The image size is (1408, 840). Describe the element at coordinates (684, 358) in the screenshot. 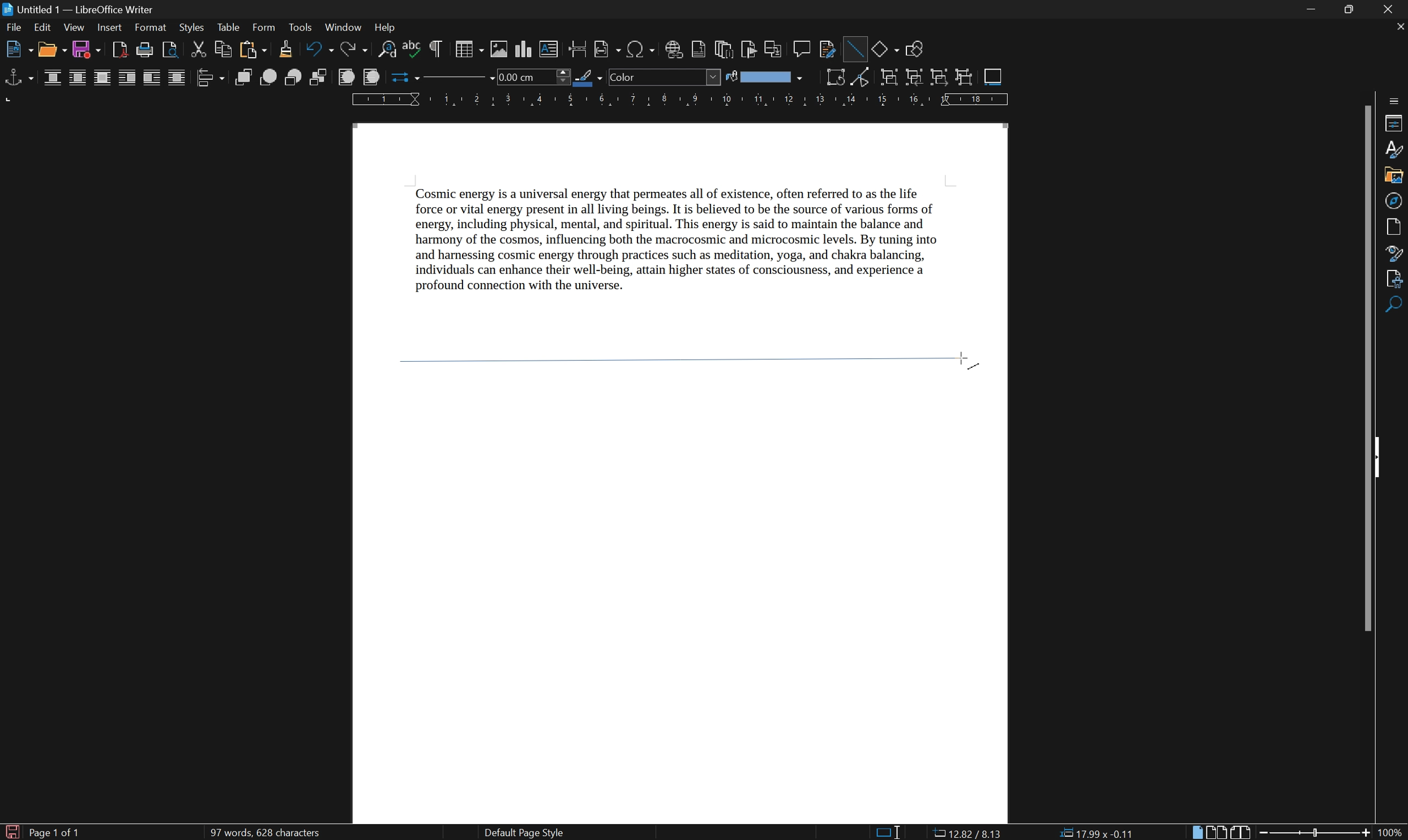

I see `horizontal line` at that location.